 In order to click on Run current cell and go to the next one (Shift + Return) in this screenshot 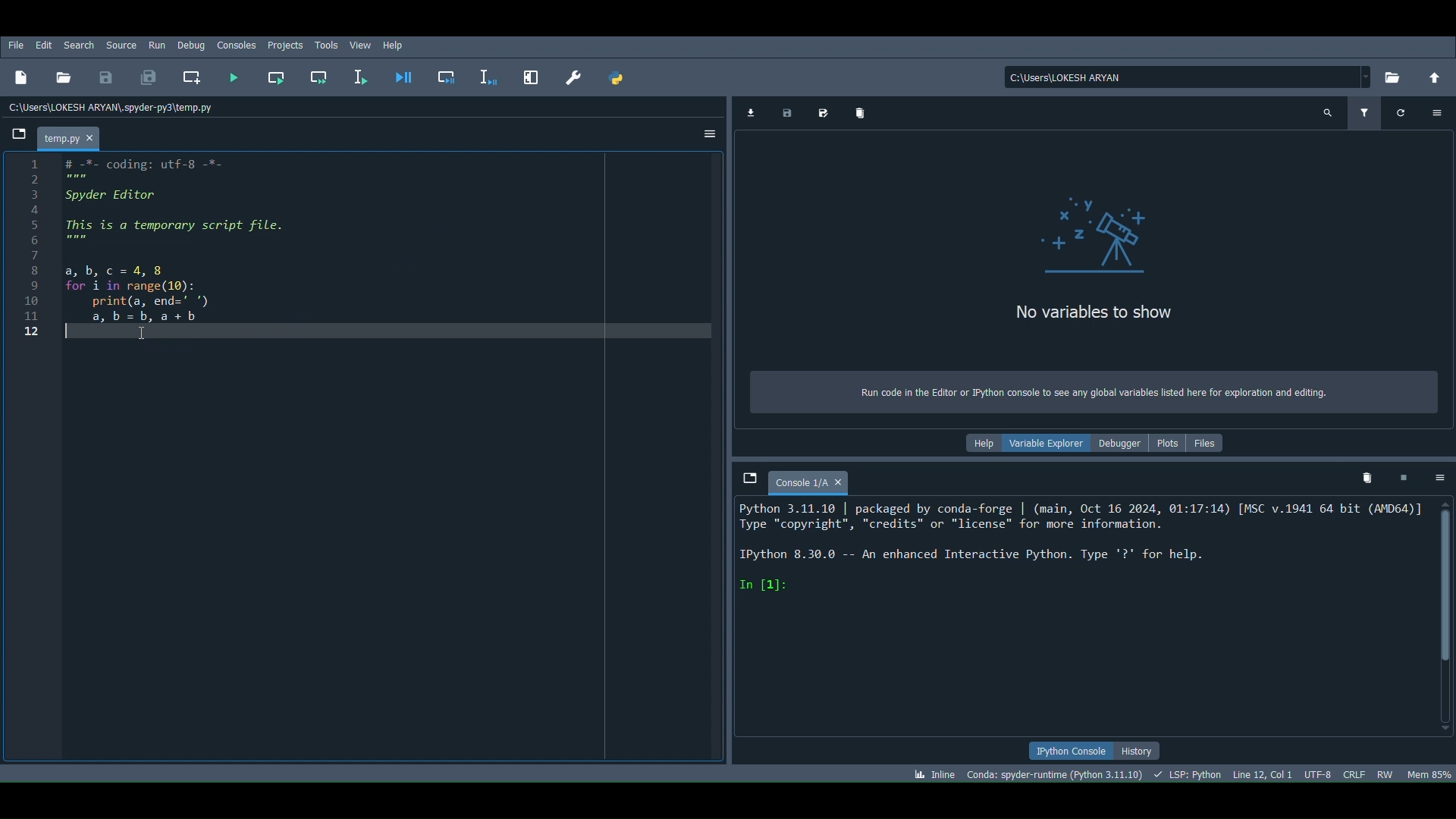, I will do `click(322, 75)`.